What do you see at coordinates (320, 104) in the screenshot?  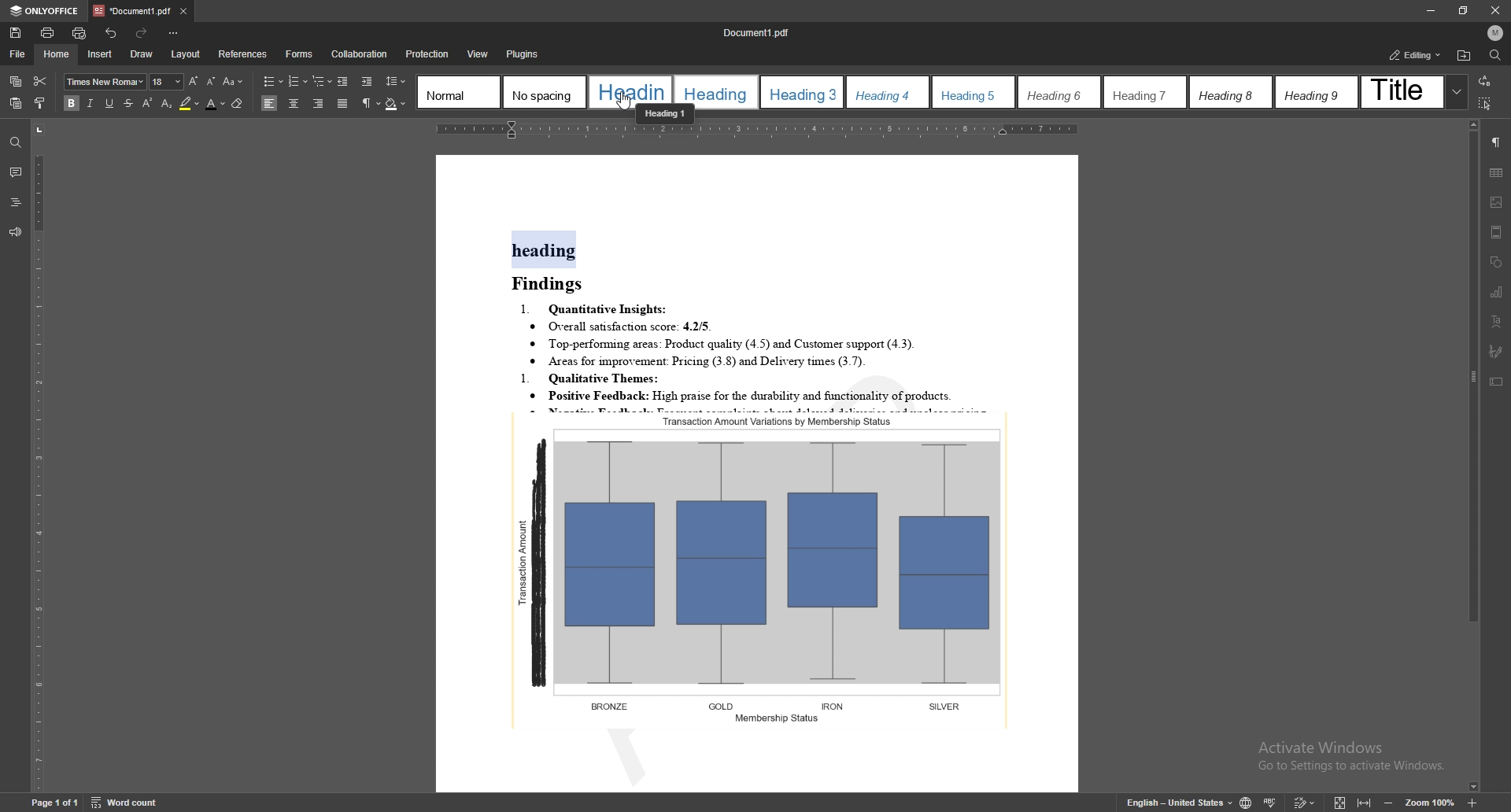 I see `align right` at bounding box center [320, 104].